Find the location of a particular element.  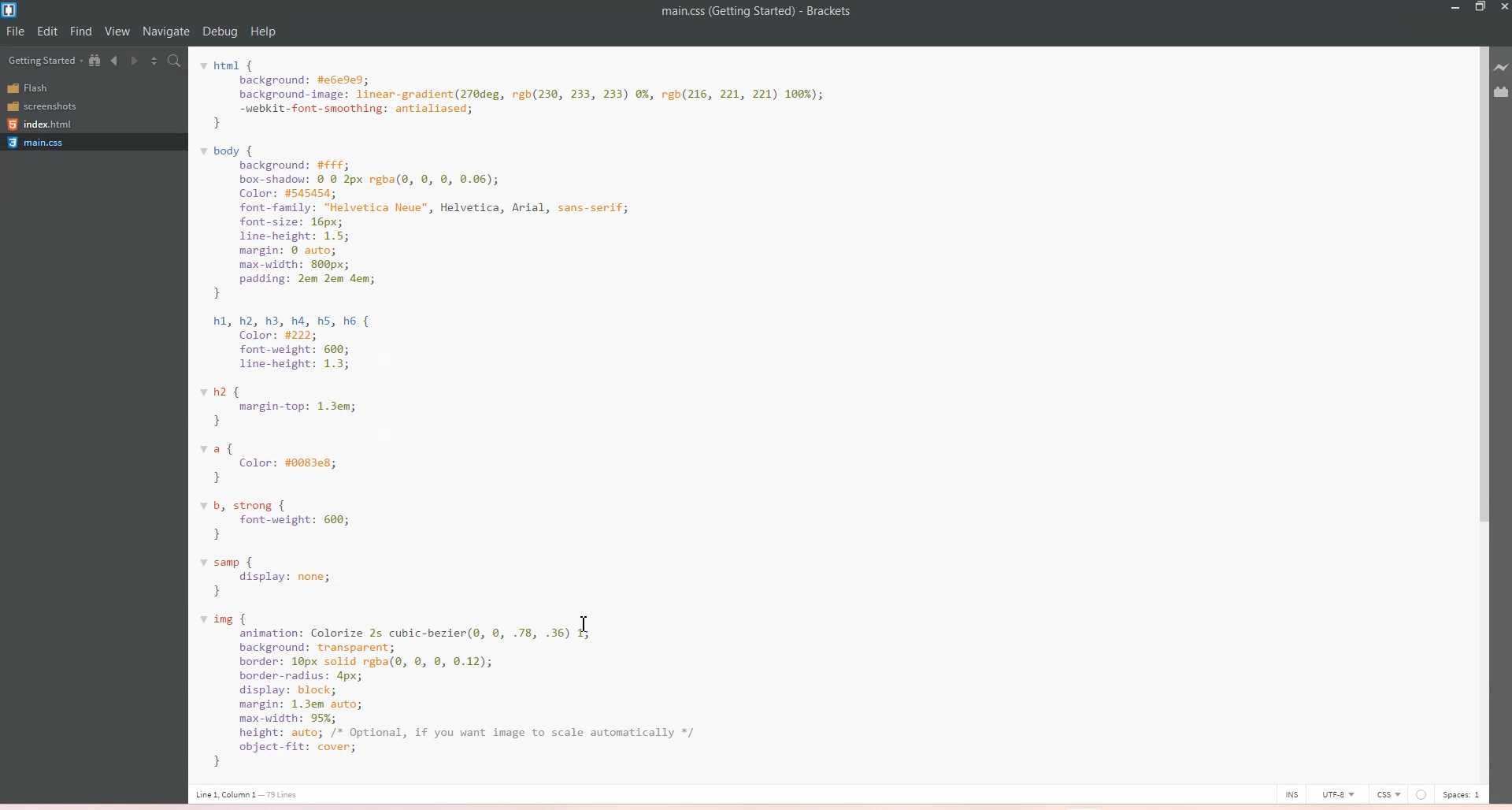

Flash is located at coordinates (47, 87).